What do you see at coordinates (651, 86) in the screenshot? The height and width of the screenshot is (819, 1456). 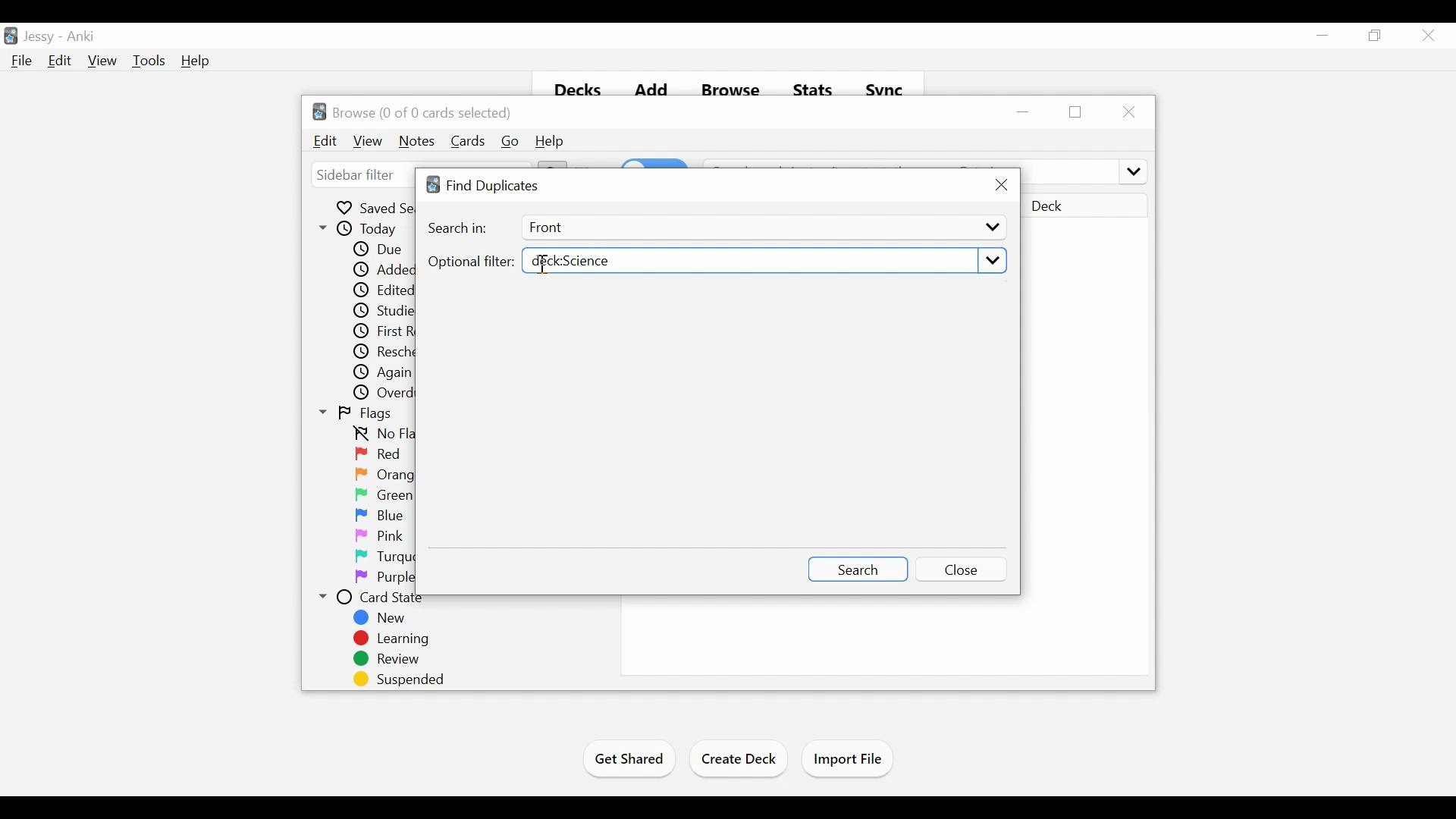 I see `Add` at bounding box center [651, 86].